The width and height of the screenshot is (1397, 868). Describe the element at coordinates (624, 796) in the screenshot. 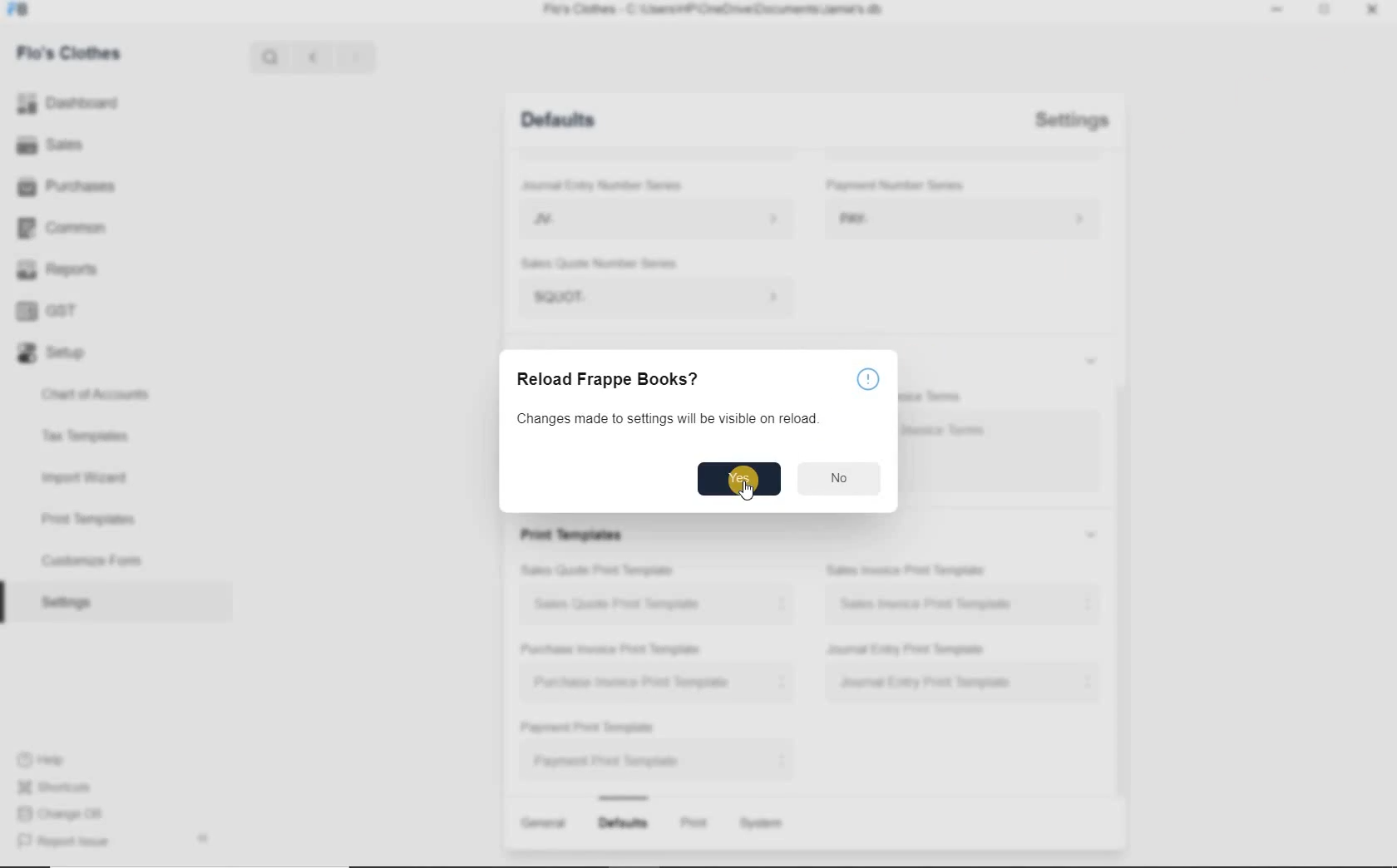

I see `Bar` at that location.